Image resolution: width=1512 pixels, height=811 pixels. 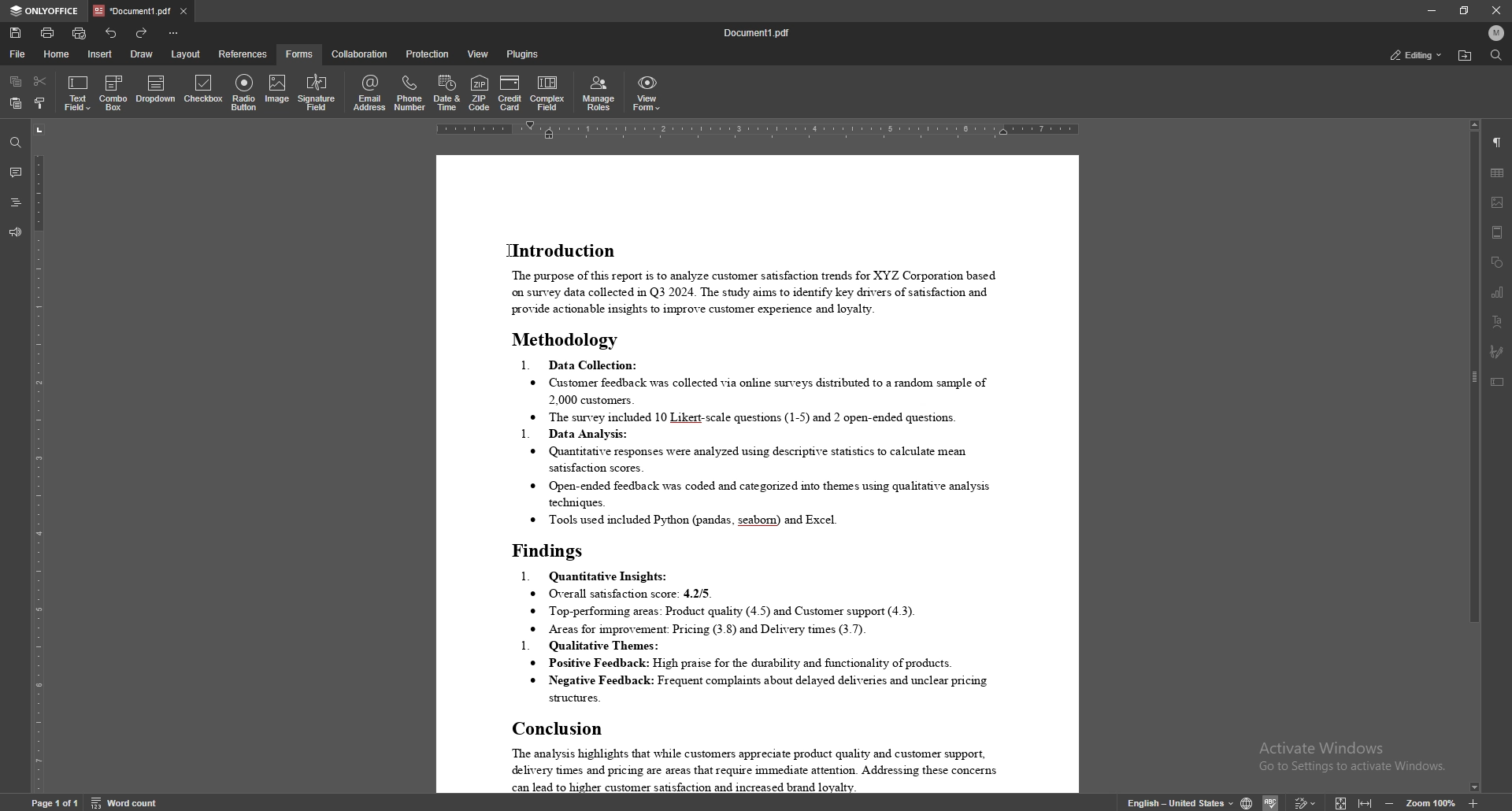 What do you see at coordinates (16, 172) in the screenshot?
I see `comment` at bounding box center [16, 172].